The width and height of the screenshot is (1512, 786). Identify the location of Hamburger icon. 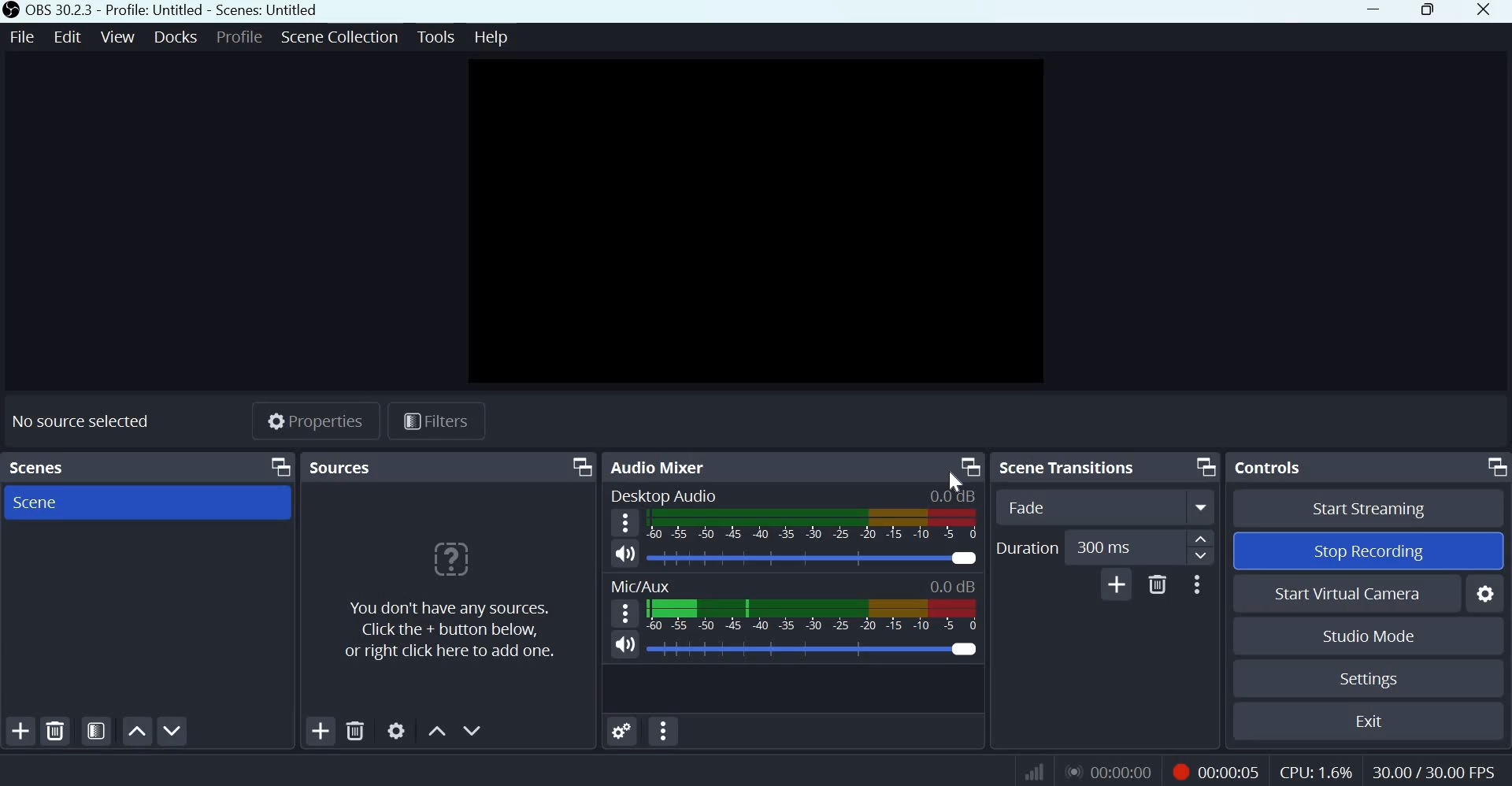
(626, 613).